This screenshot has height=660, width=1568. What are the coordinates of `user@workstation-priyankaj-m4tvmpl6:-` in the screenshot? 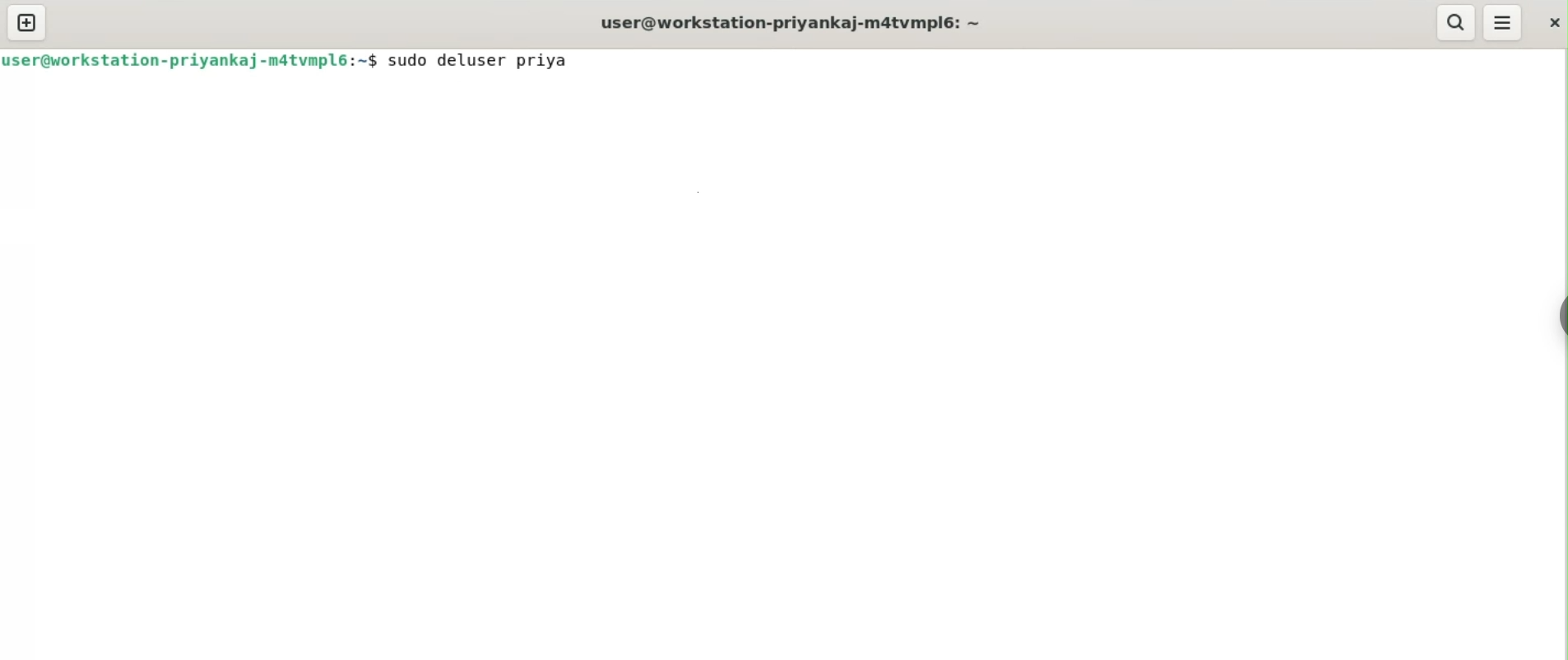 It's located at (791, 21).